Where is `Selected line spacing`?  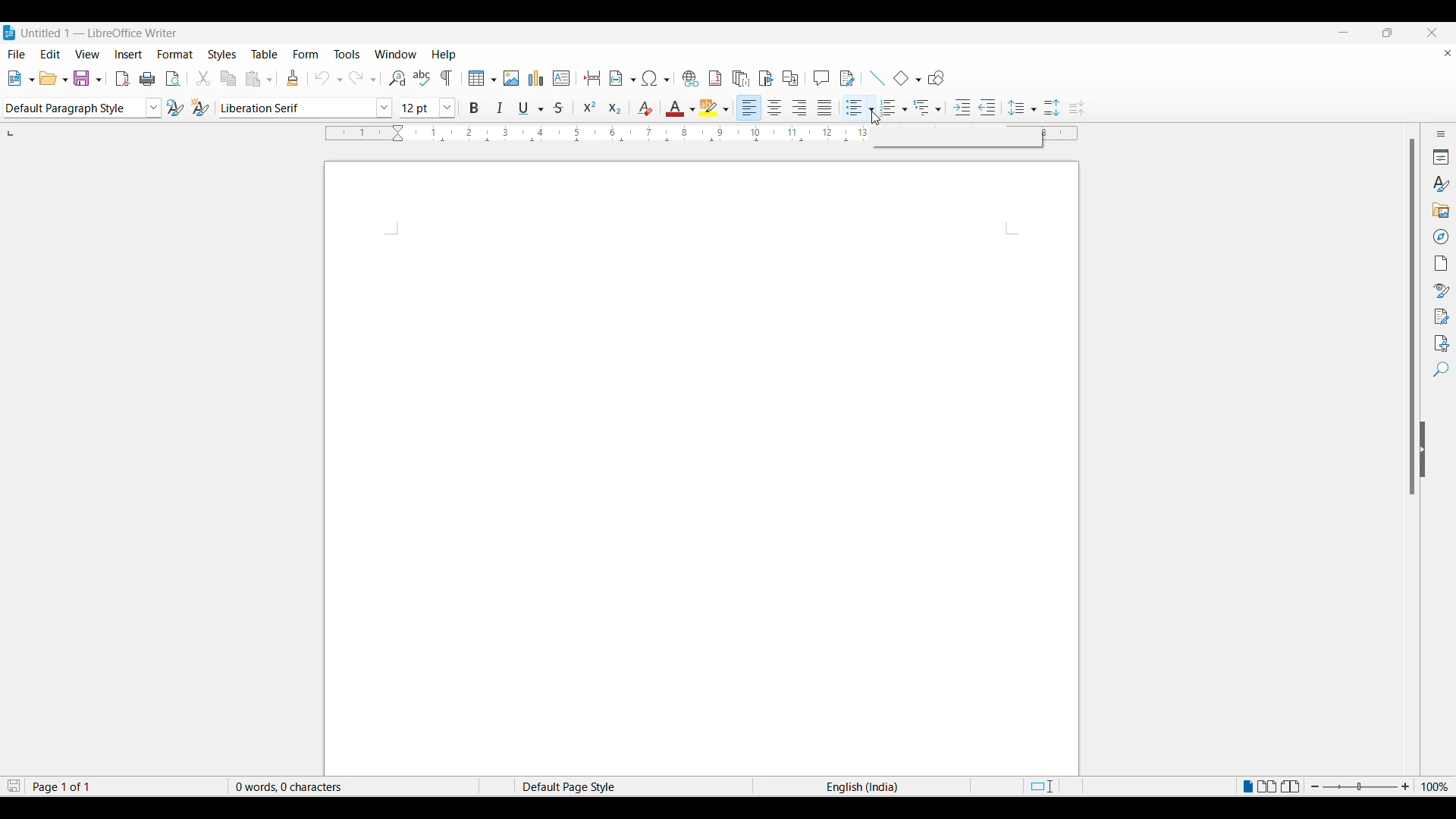
Selected line spacing is located at coordinates (1022, 105).